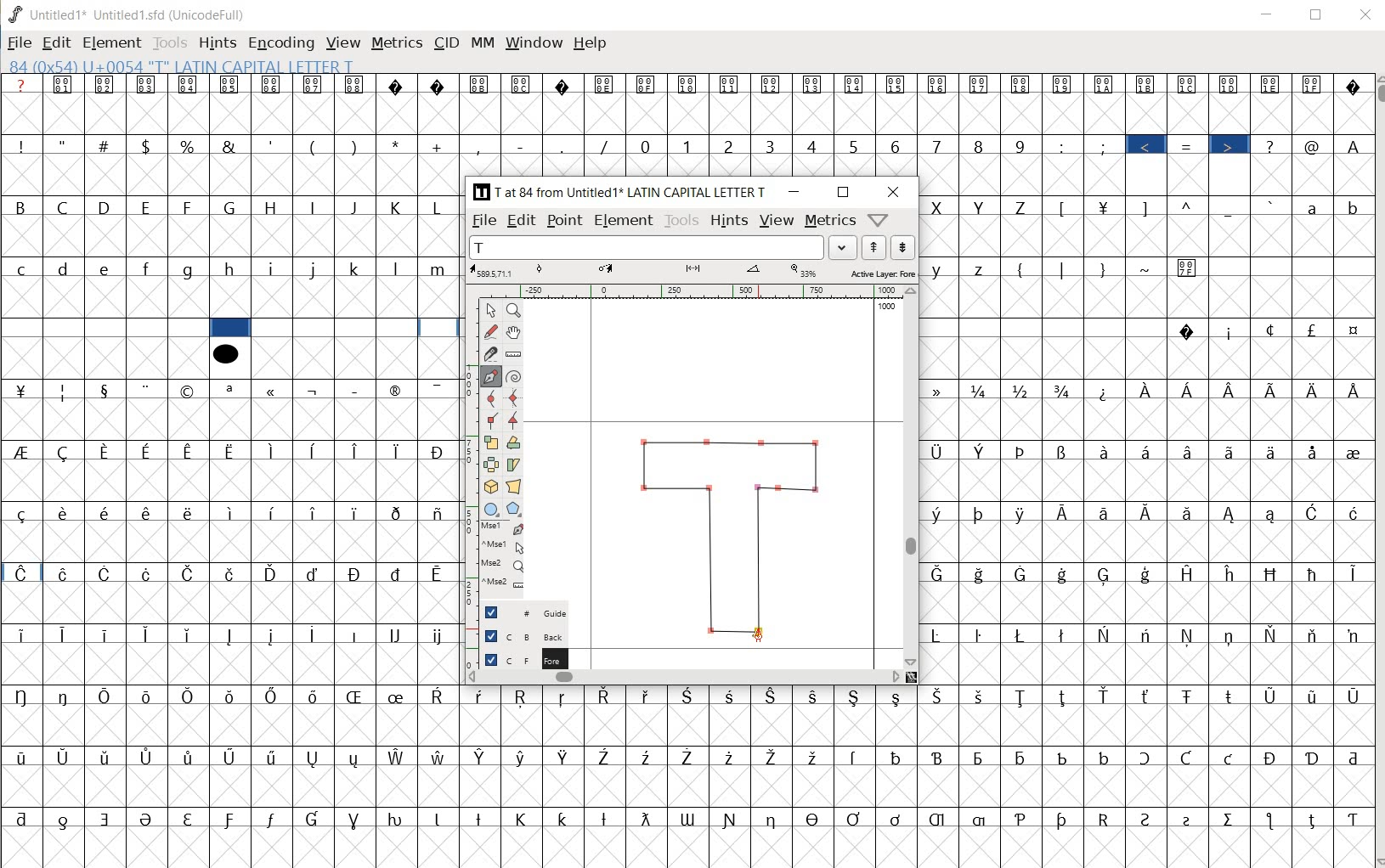 The height and width of the screenshot is (868, 1385). I want to click on Symbol, so click(398, 696).